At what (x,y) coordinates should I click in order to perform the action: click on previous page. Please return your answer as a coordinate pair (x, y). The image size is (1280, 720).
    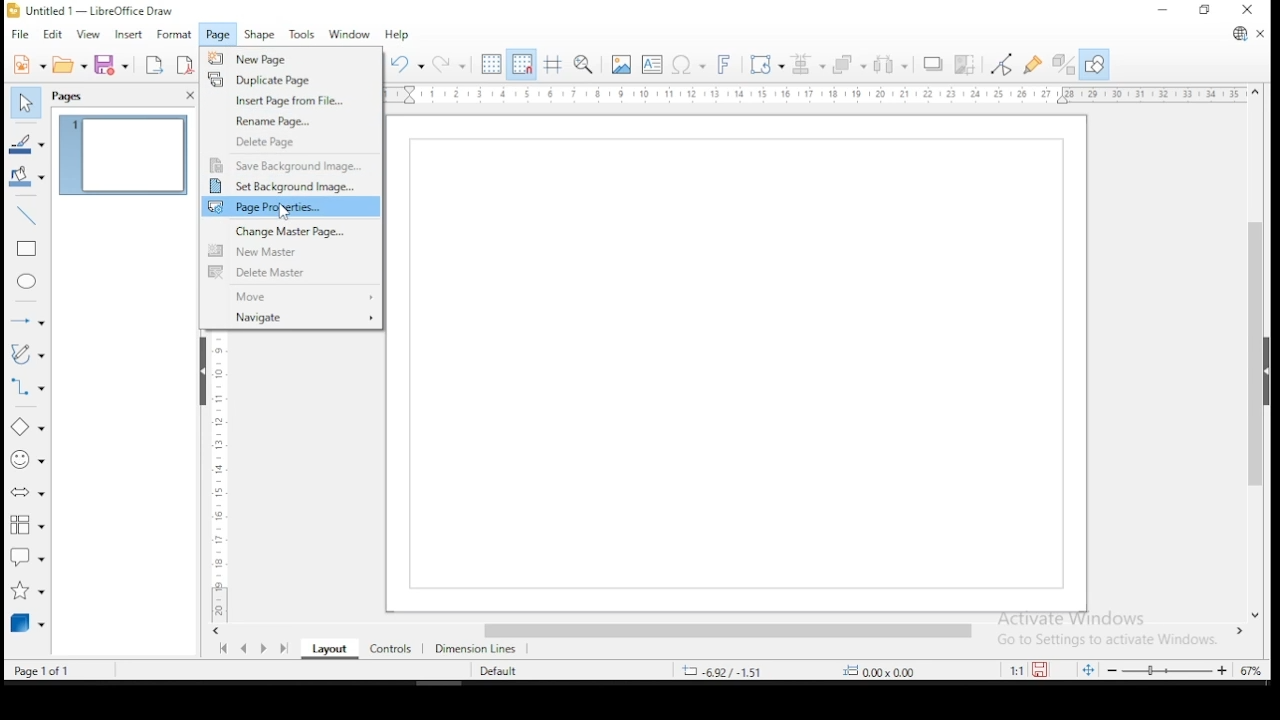
    Looking at the image, I should click on (244, 651).